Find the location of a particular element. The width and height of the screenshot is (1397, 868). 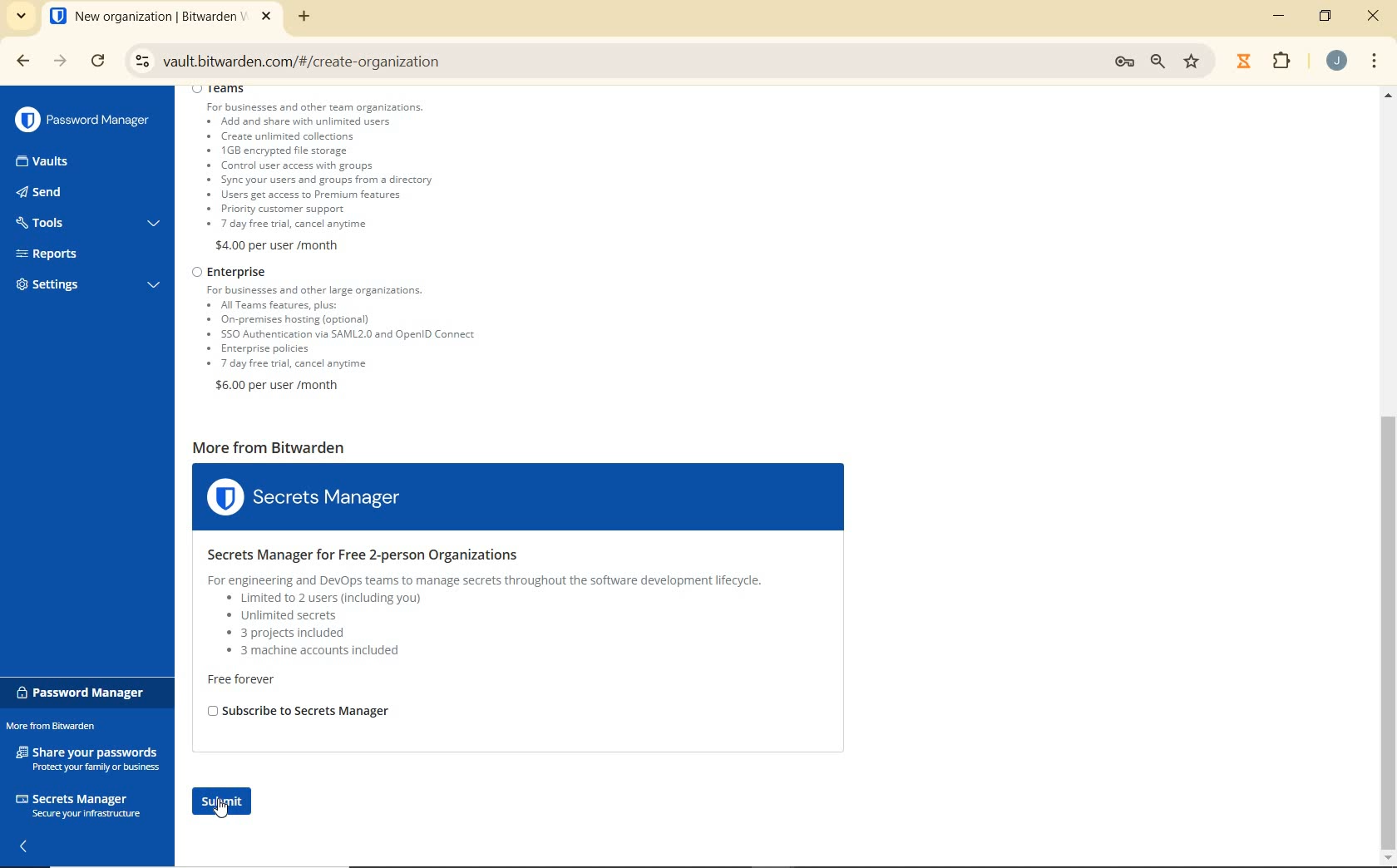

address bar is located at coordinates (608, 59).